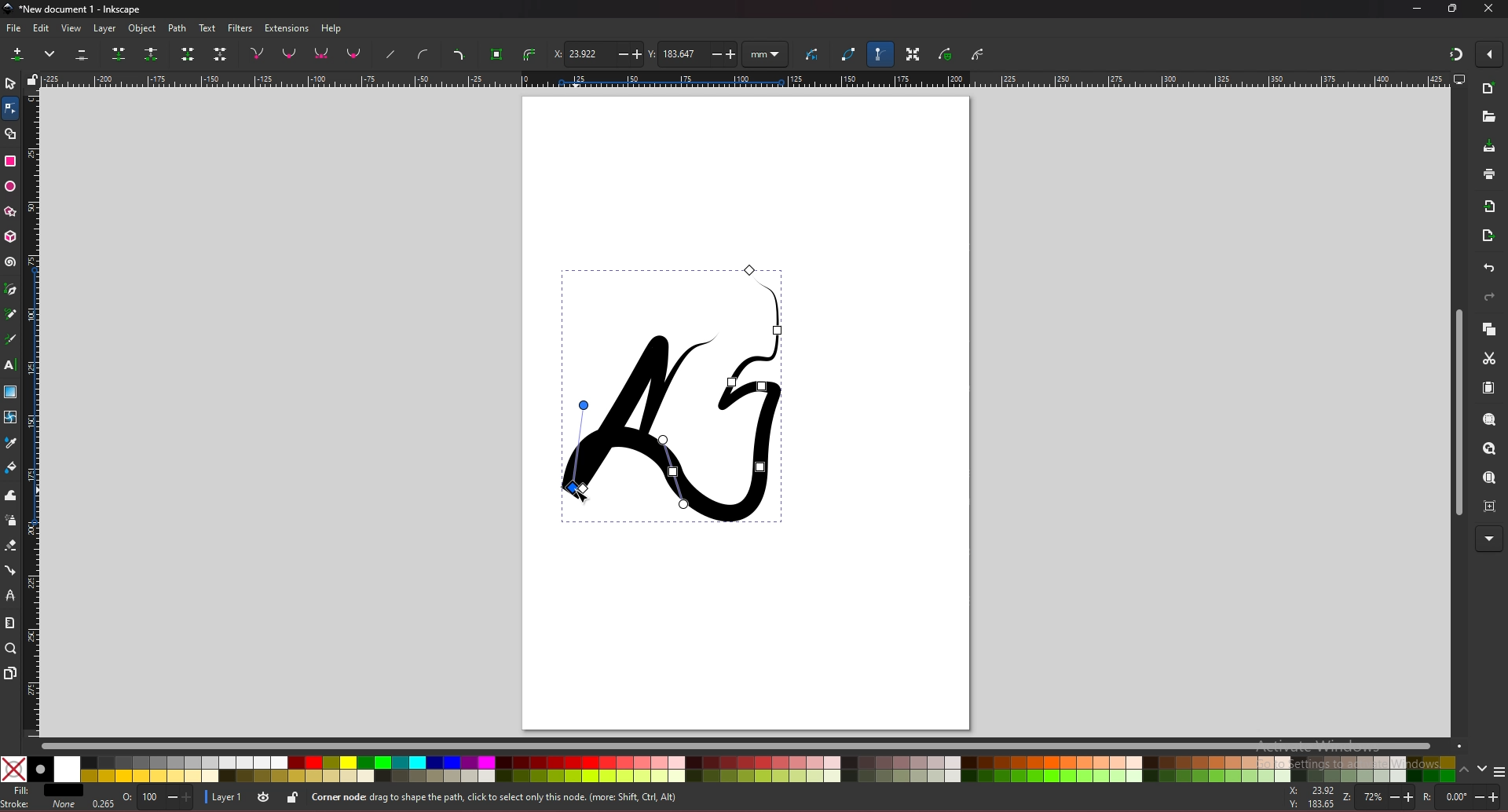  Describe the element at coordinates (751, 747) in the screenshot. I see `scroll bar` at that location.